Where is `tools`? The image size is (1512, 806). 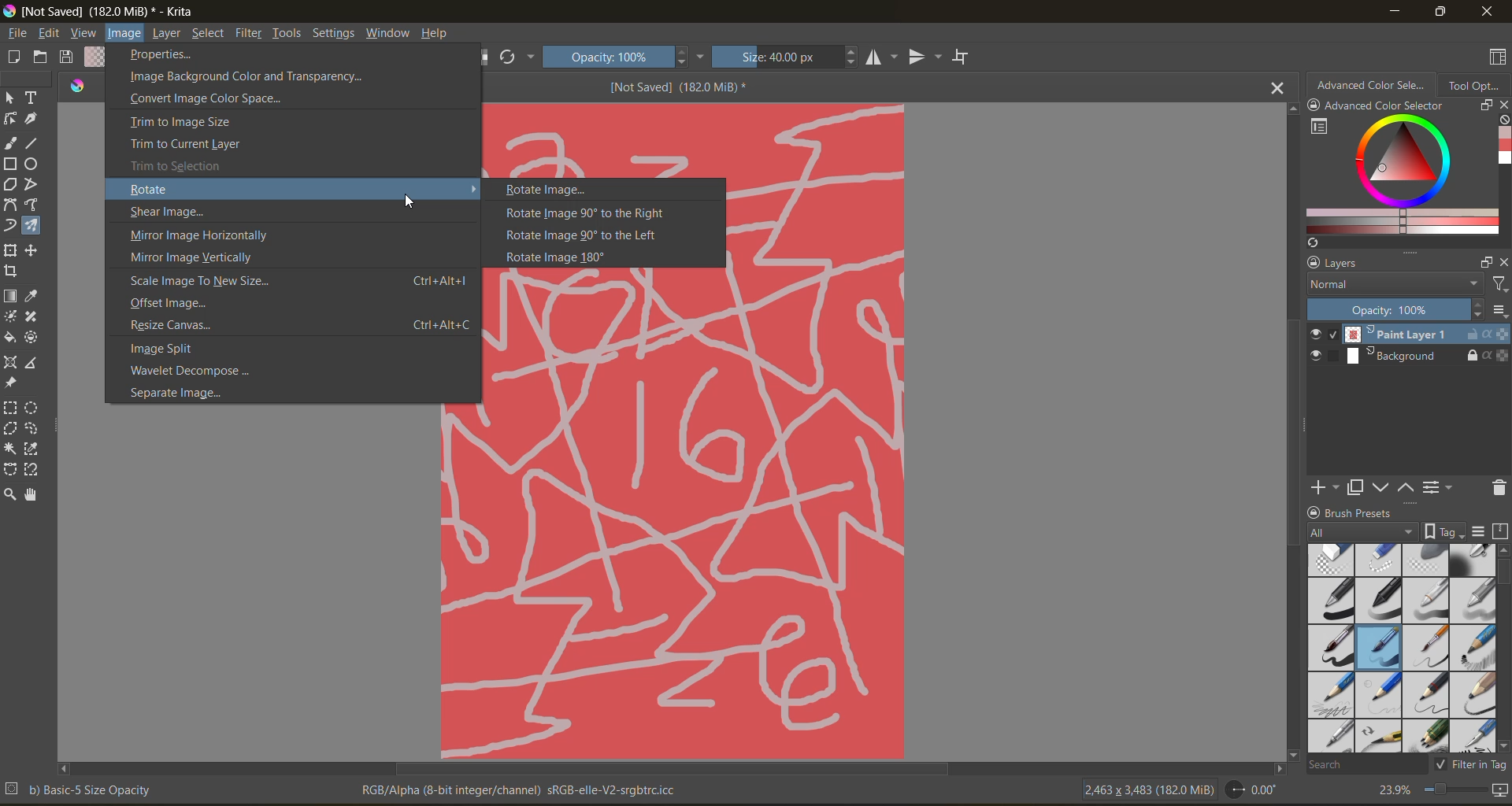
tools is located at coordinates (28, 297).